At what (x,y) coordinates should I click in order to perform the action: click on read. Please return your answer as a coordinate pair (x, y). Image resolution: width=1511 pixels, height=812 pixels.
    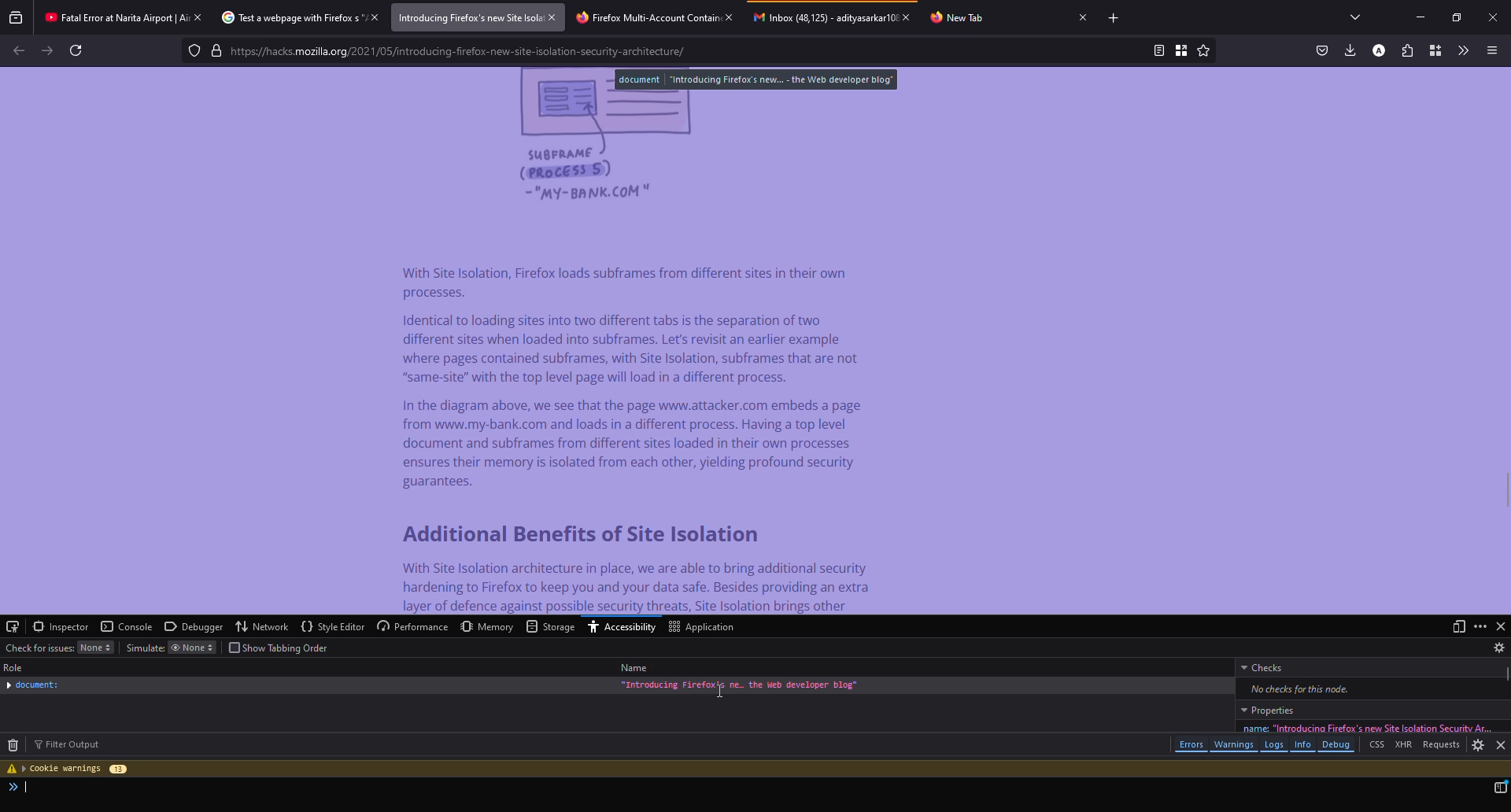
    Looking at the image, I should click on (1158, 50).